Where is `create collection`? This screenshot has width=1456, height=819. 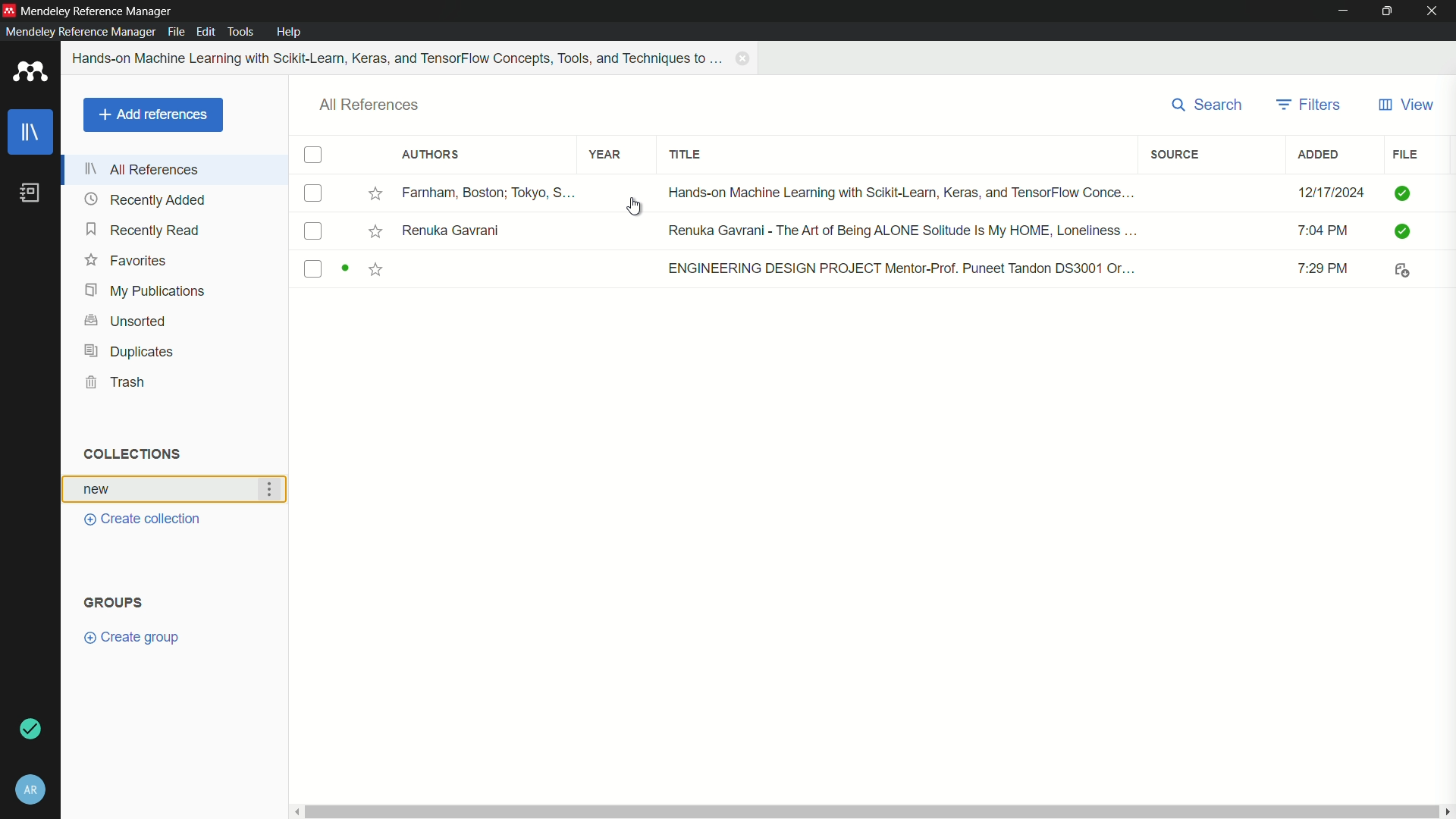
create collection is located at coordinates (138, 518).